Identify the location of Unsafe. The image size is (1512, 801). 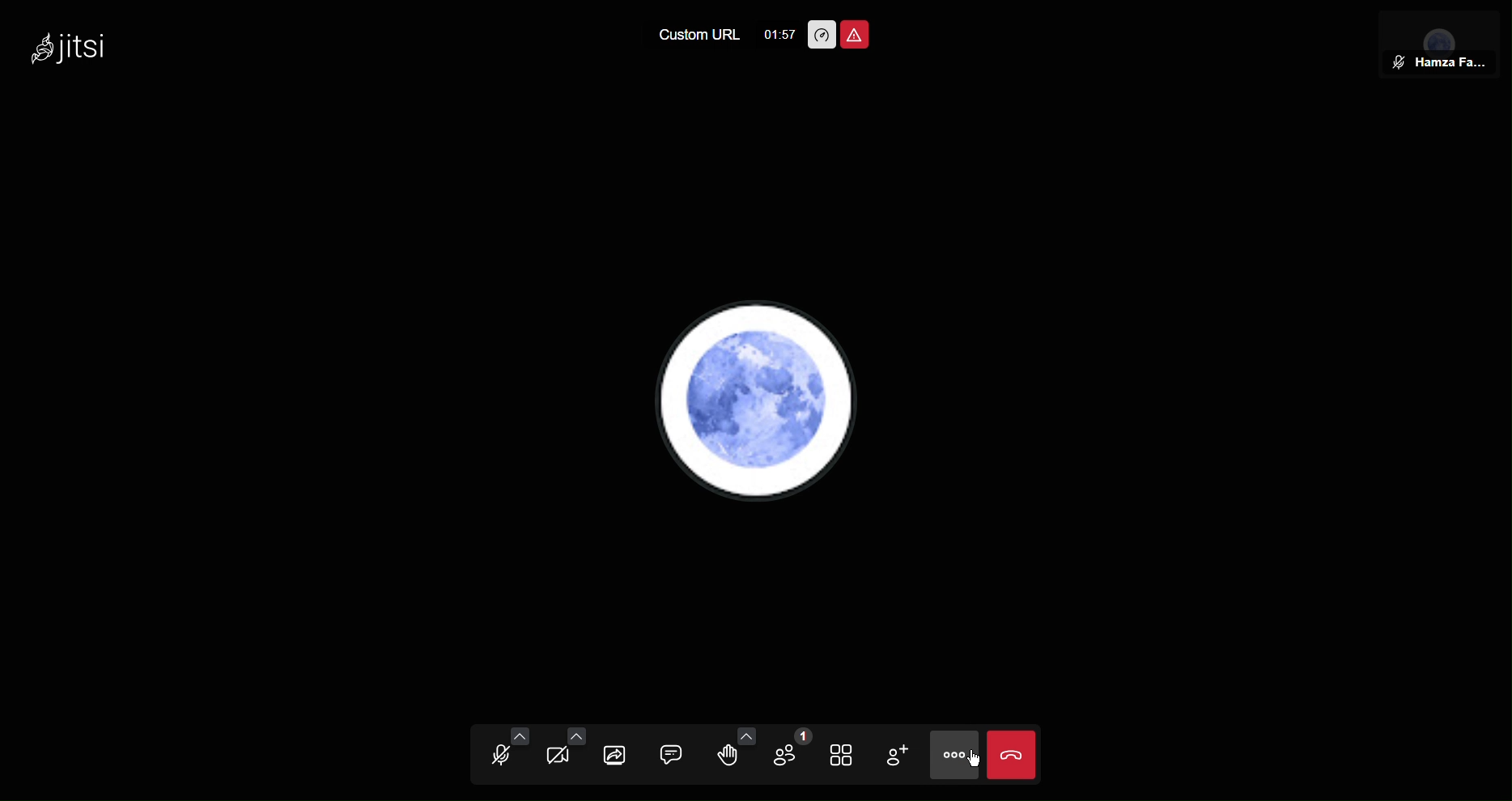
(855, 34).